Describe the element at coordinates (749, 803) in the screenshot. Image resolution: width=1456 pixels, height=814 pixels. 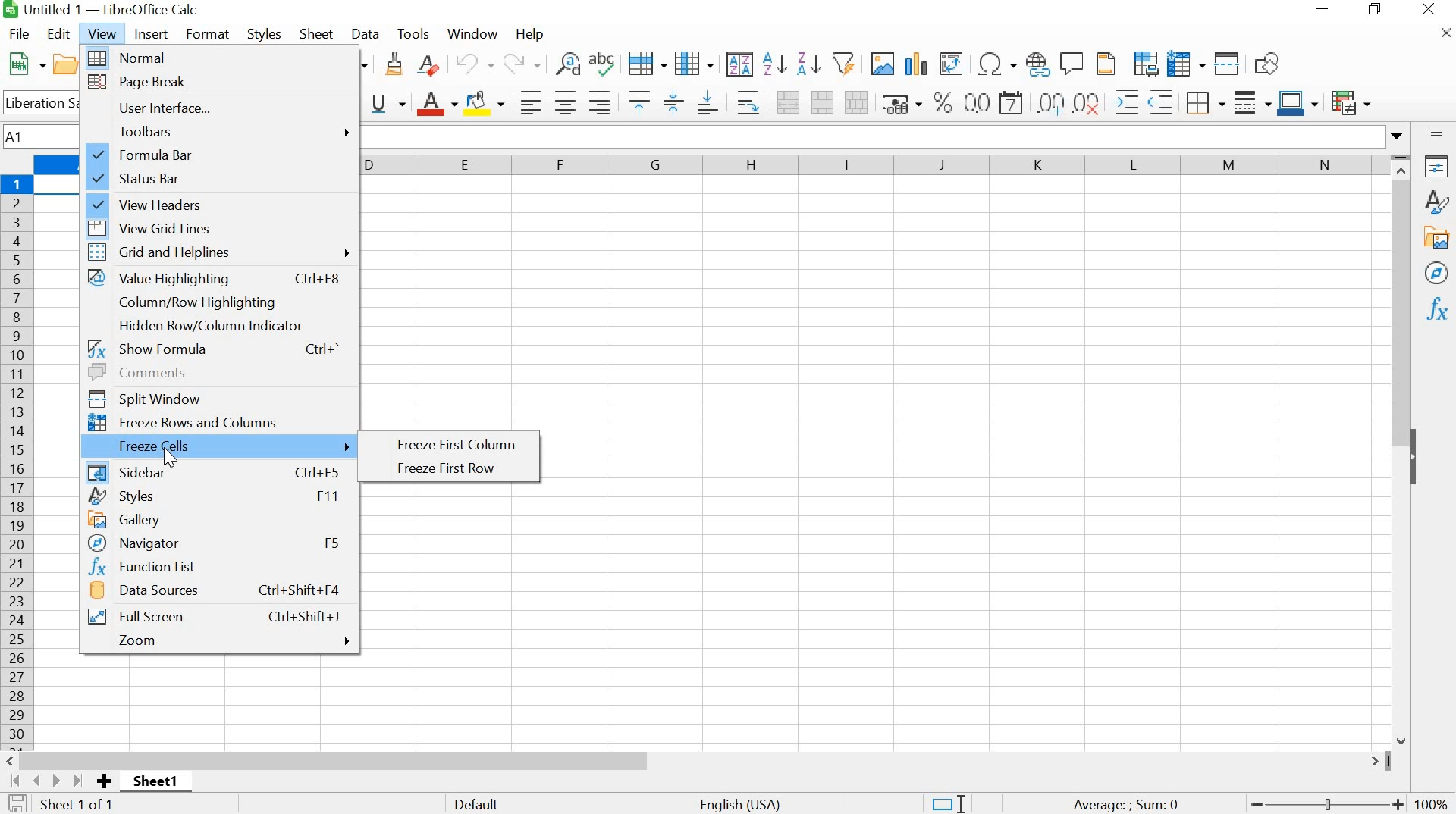
I see `TEST LANGUAGE` at that location.